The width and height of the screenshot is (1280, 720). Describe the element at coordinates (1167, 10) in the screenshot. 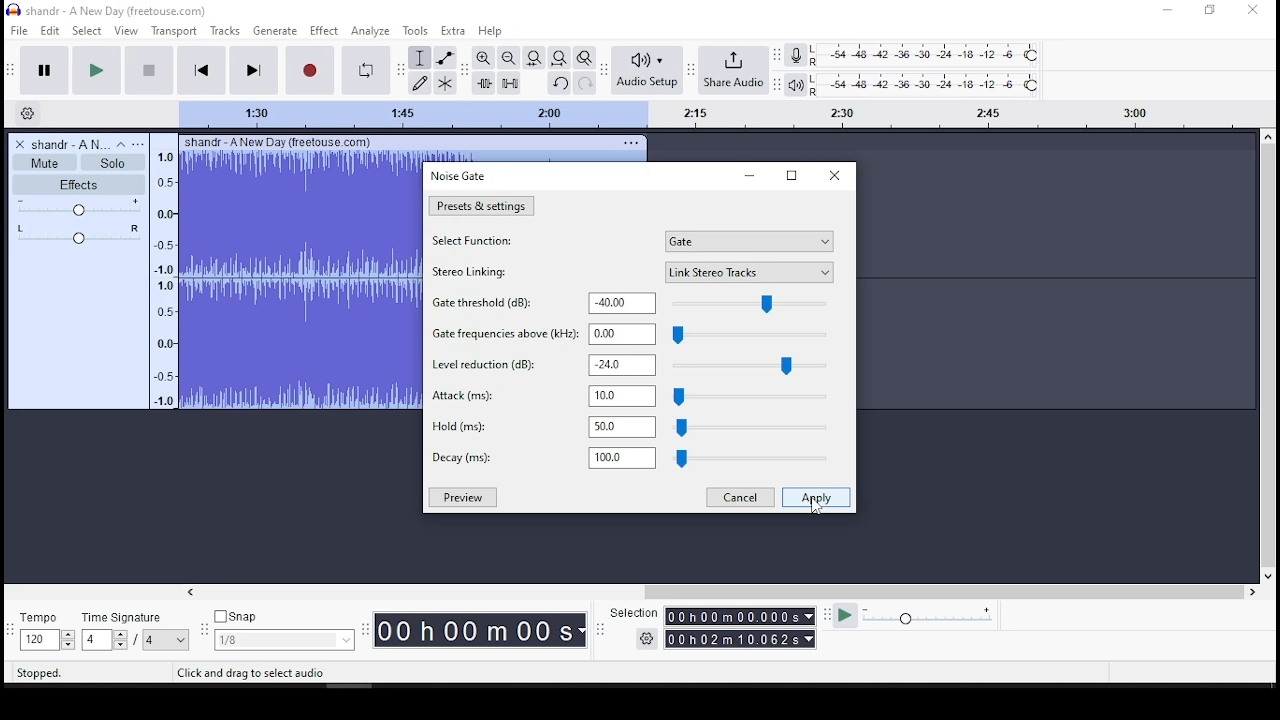

I see `minimize` at that location.